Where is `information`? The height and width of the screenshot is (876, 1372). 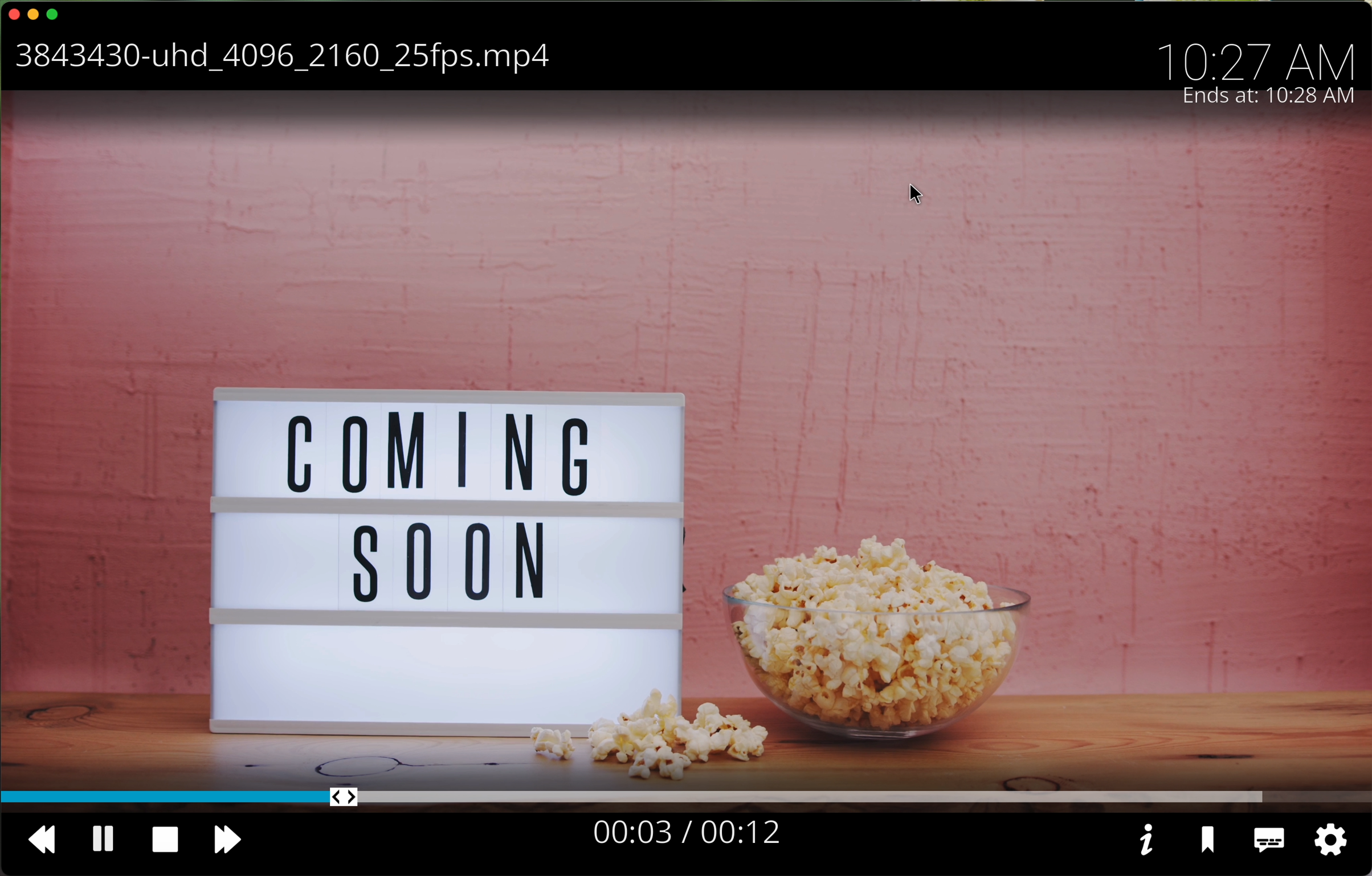 information is located at coordinates (1140, 840).